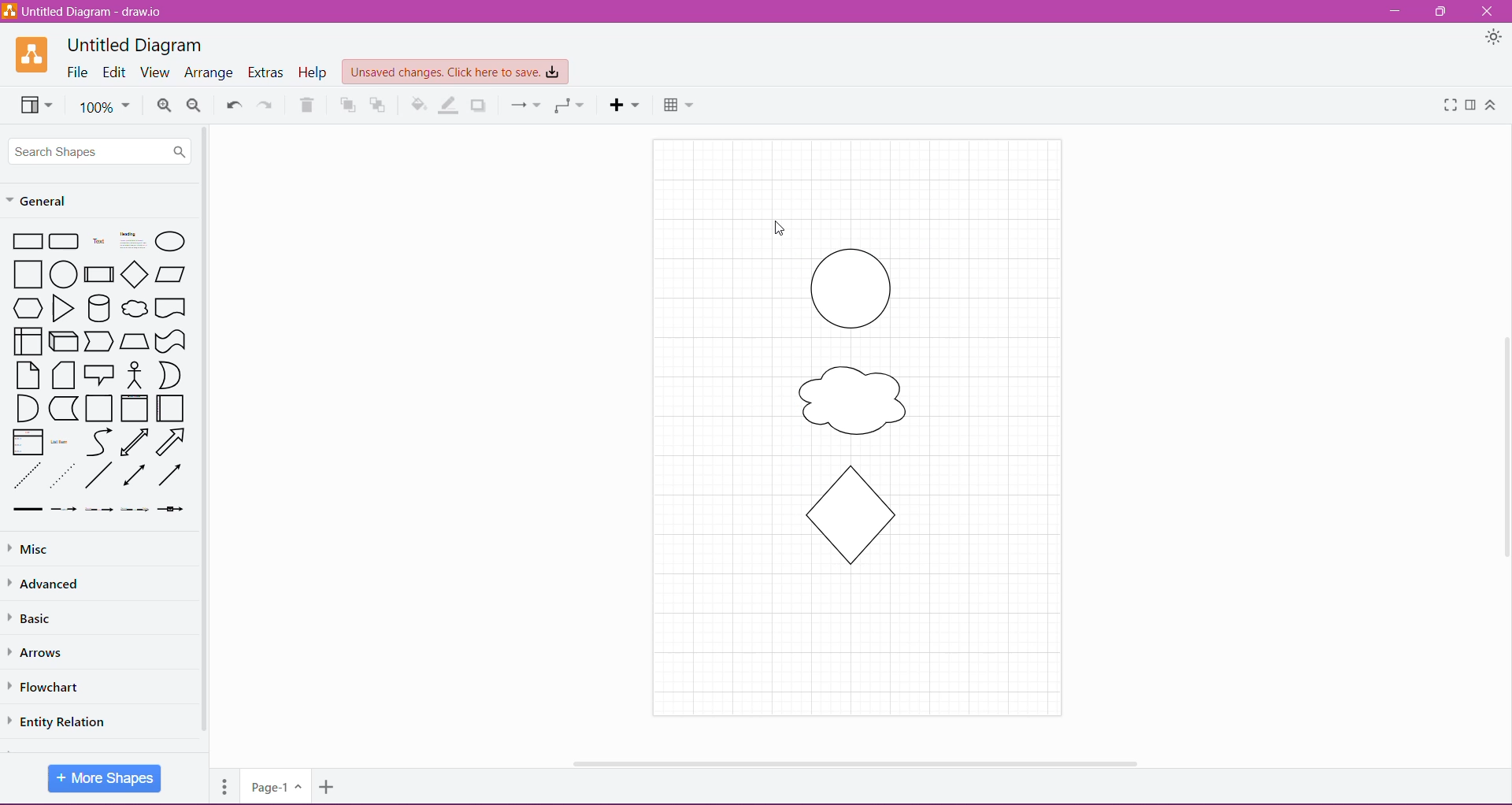  I want to click on Zoom Out, so click(195, 106).